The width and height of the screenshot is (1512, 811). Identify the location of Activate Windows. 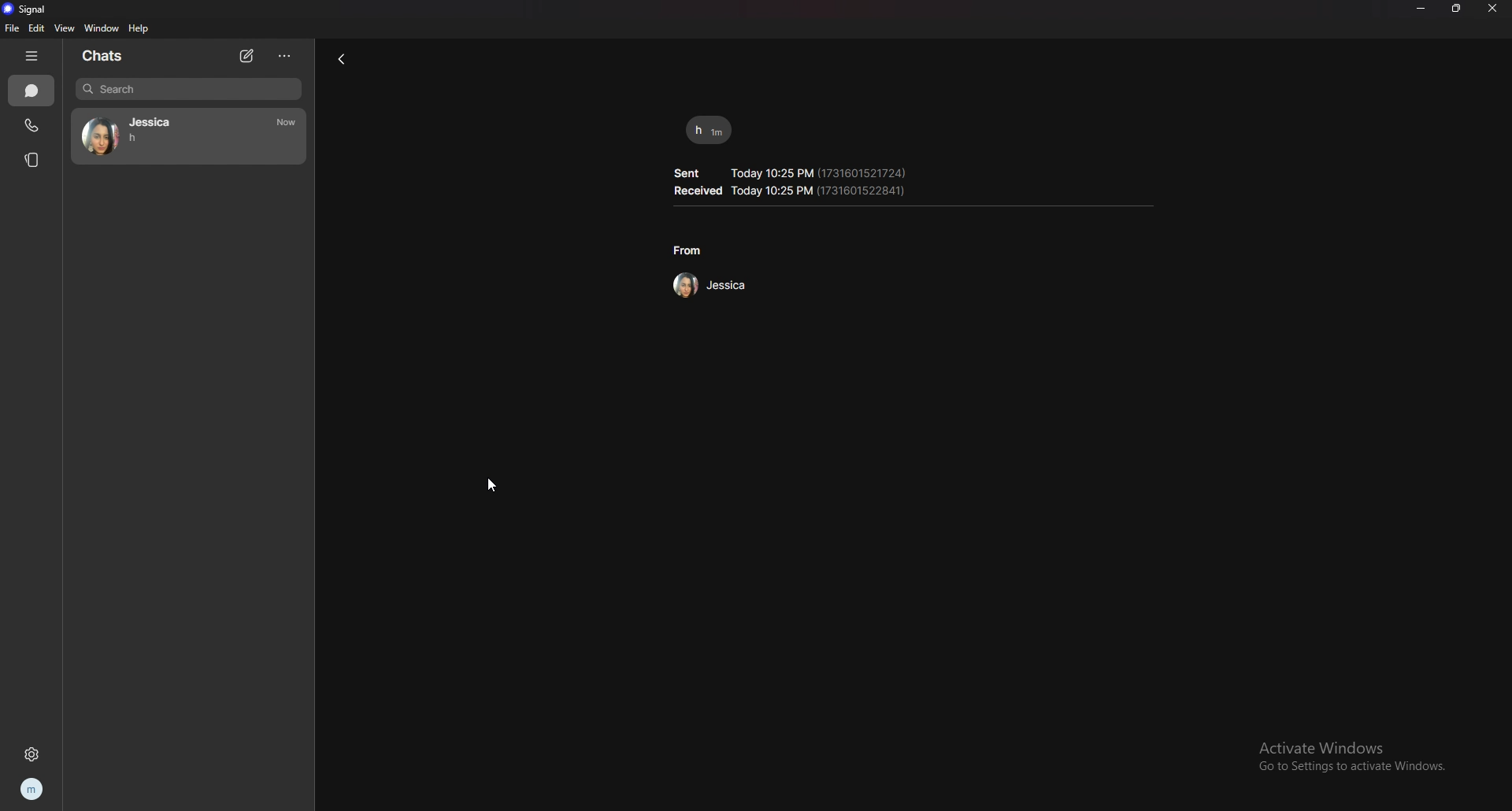
(1319, 746).